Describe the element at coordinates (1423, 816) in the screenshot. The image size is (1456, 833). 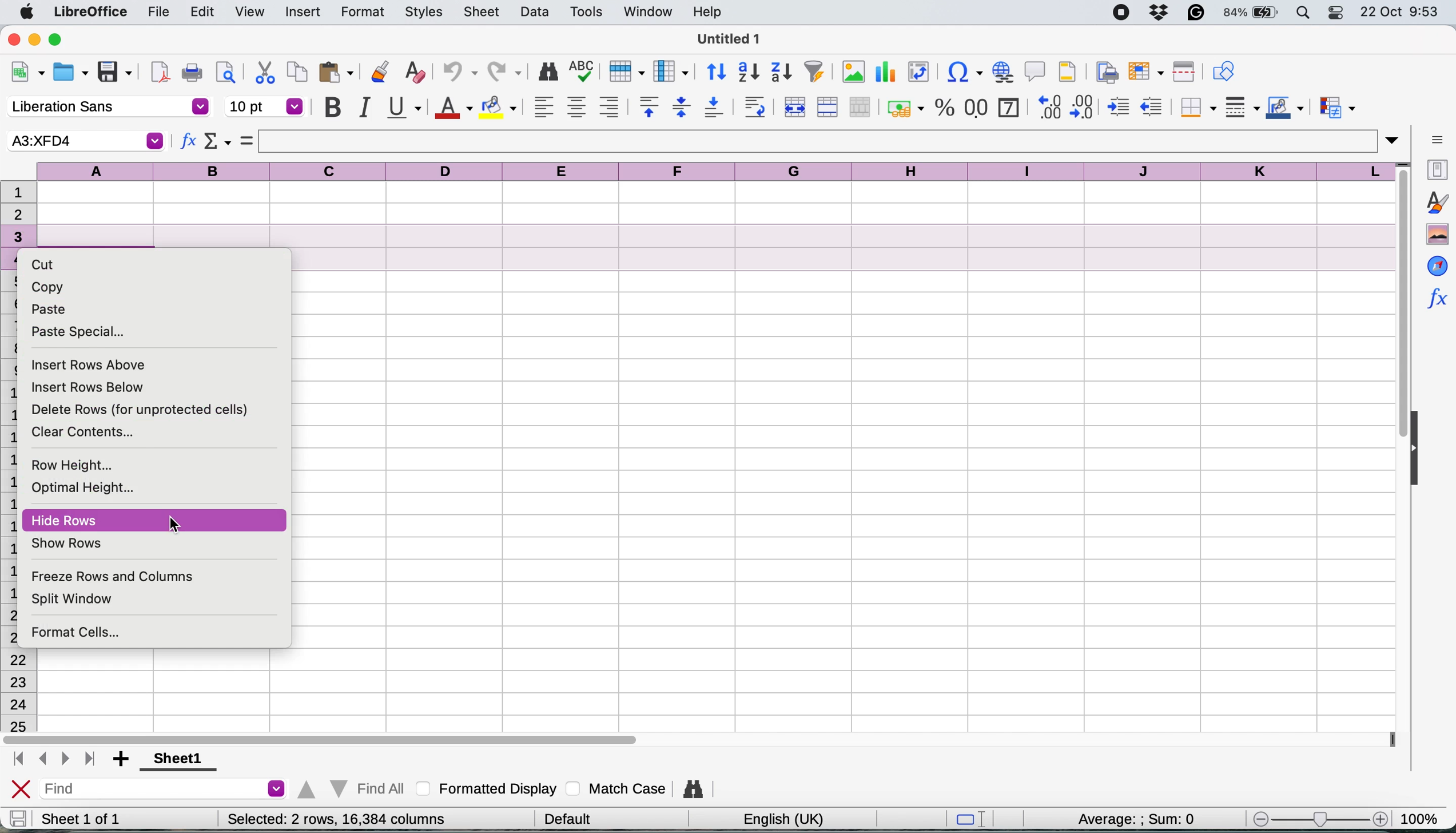
I see `100%` at that location.